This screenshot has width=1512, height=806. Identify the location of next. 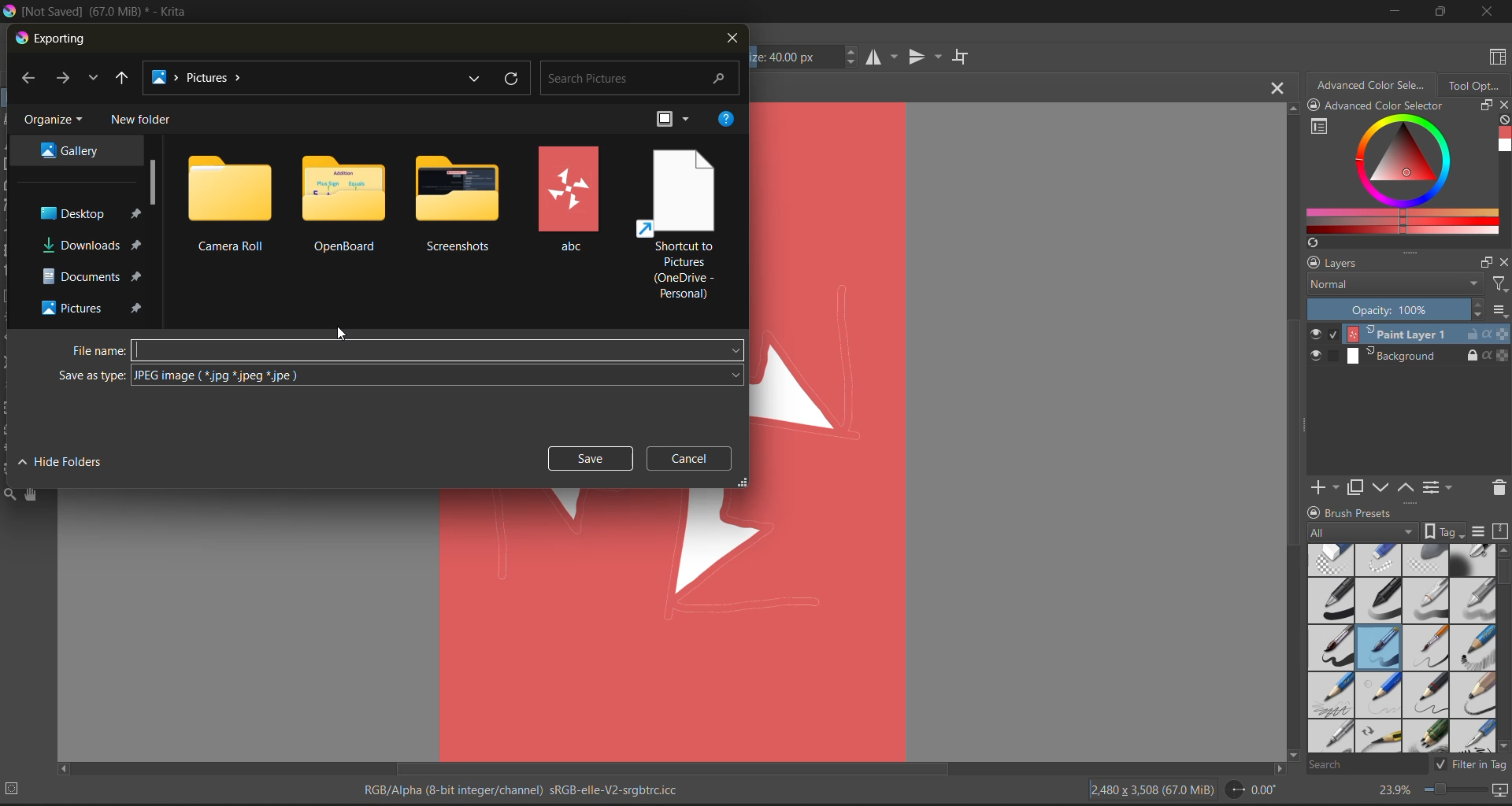
(65, 79).